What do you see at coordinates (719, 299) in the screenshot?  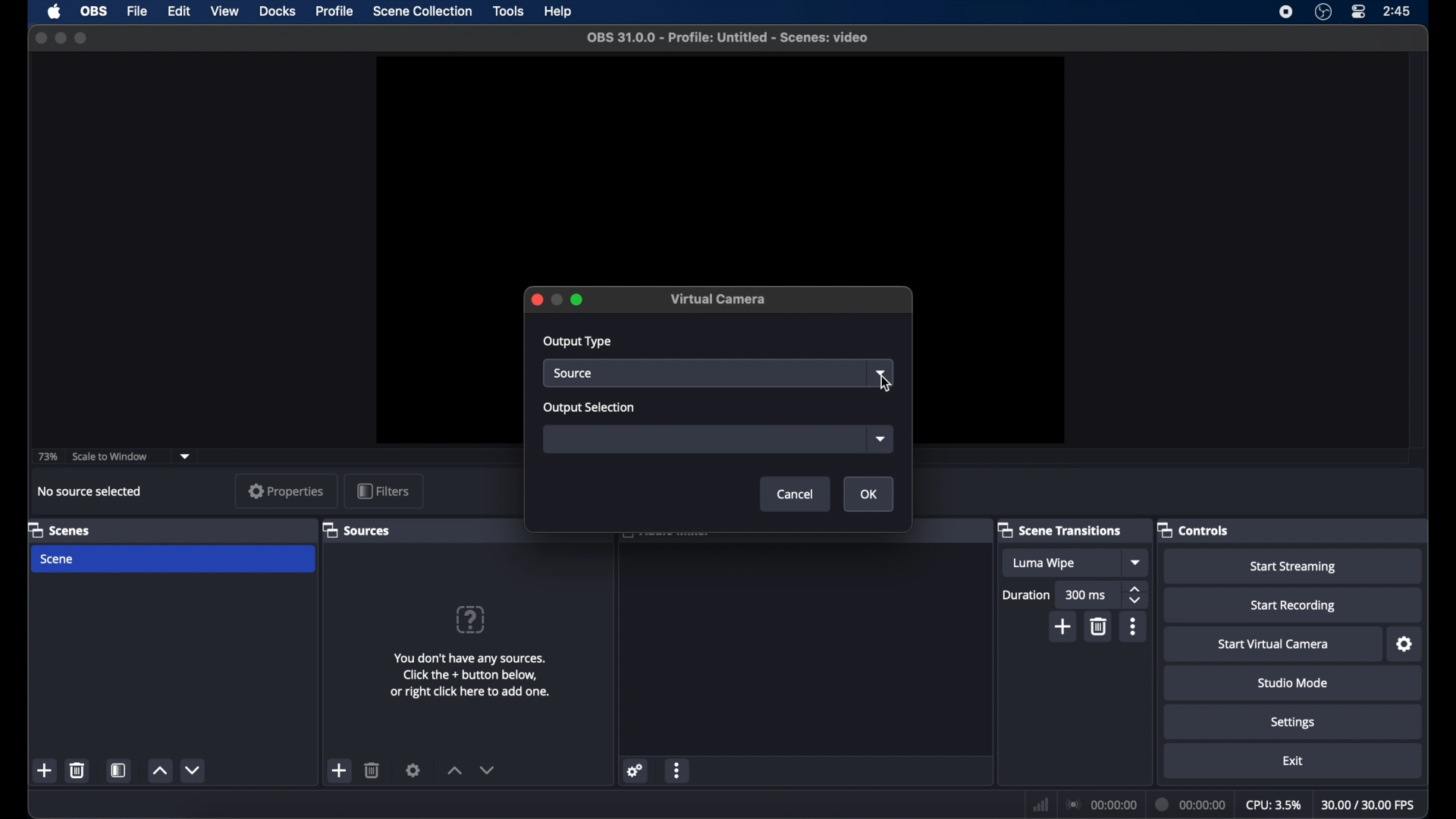 I see `virtual camera` at bounding box center [719, 299].